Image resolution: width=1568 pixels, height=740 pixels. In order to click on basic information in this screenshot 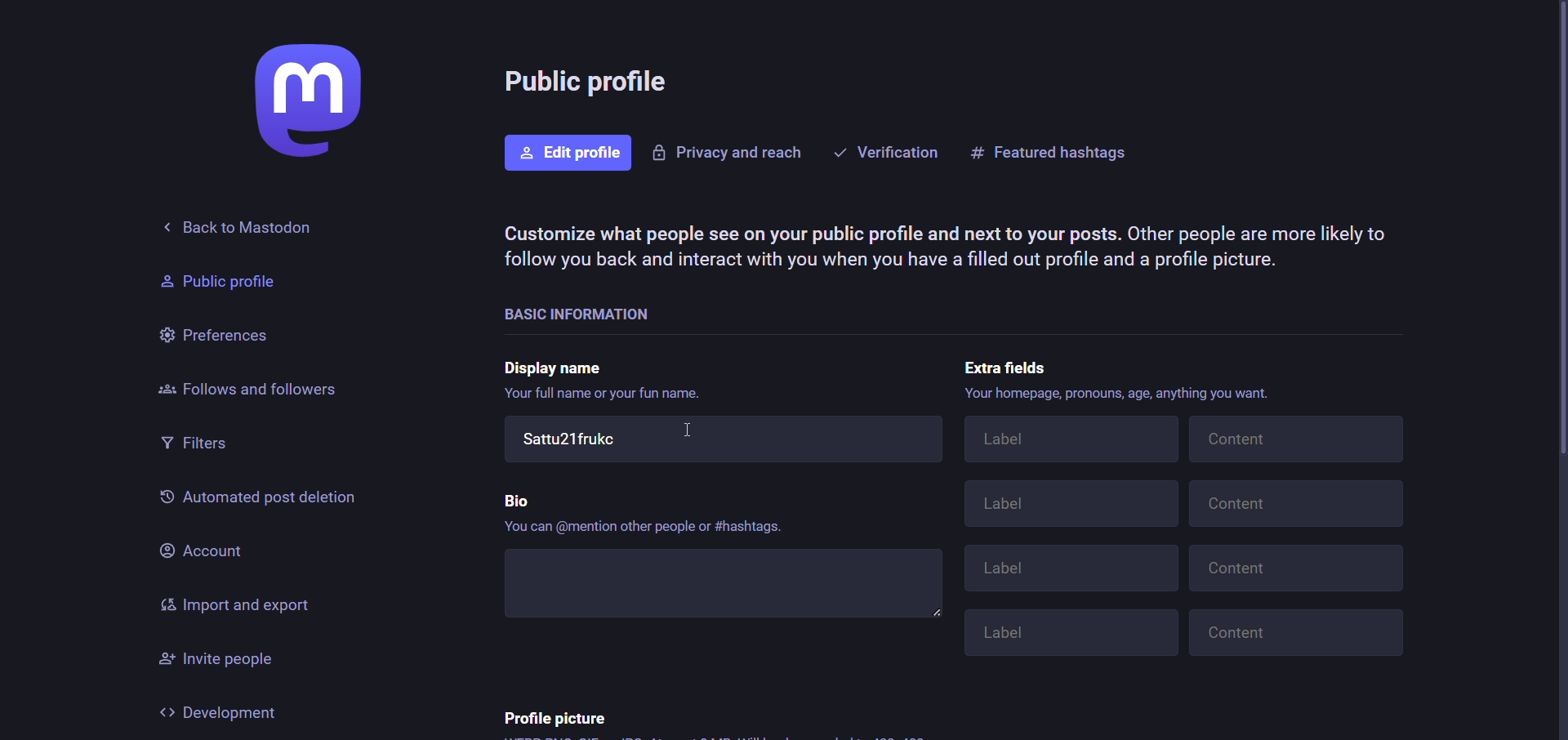, I will do `click(616, 312)`.